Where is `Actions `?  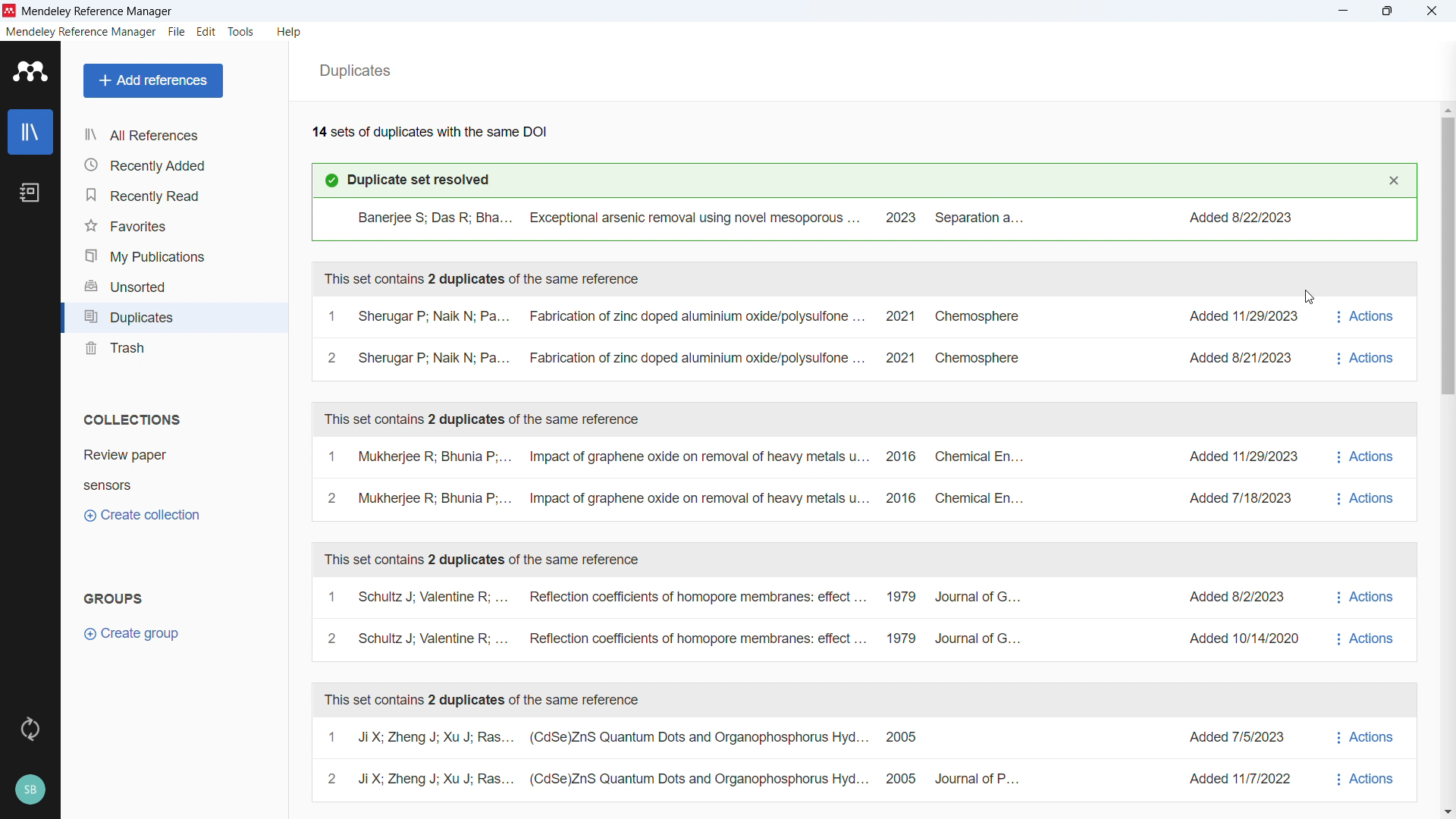 Actions  is located at coordinates (1365, 759).